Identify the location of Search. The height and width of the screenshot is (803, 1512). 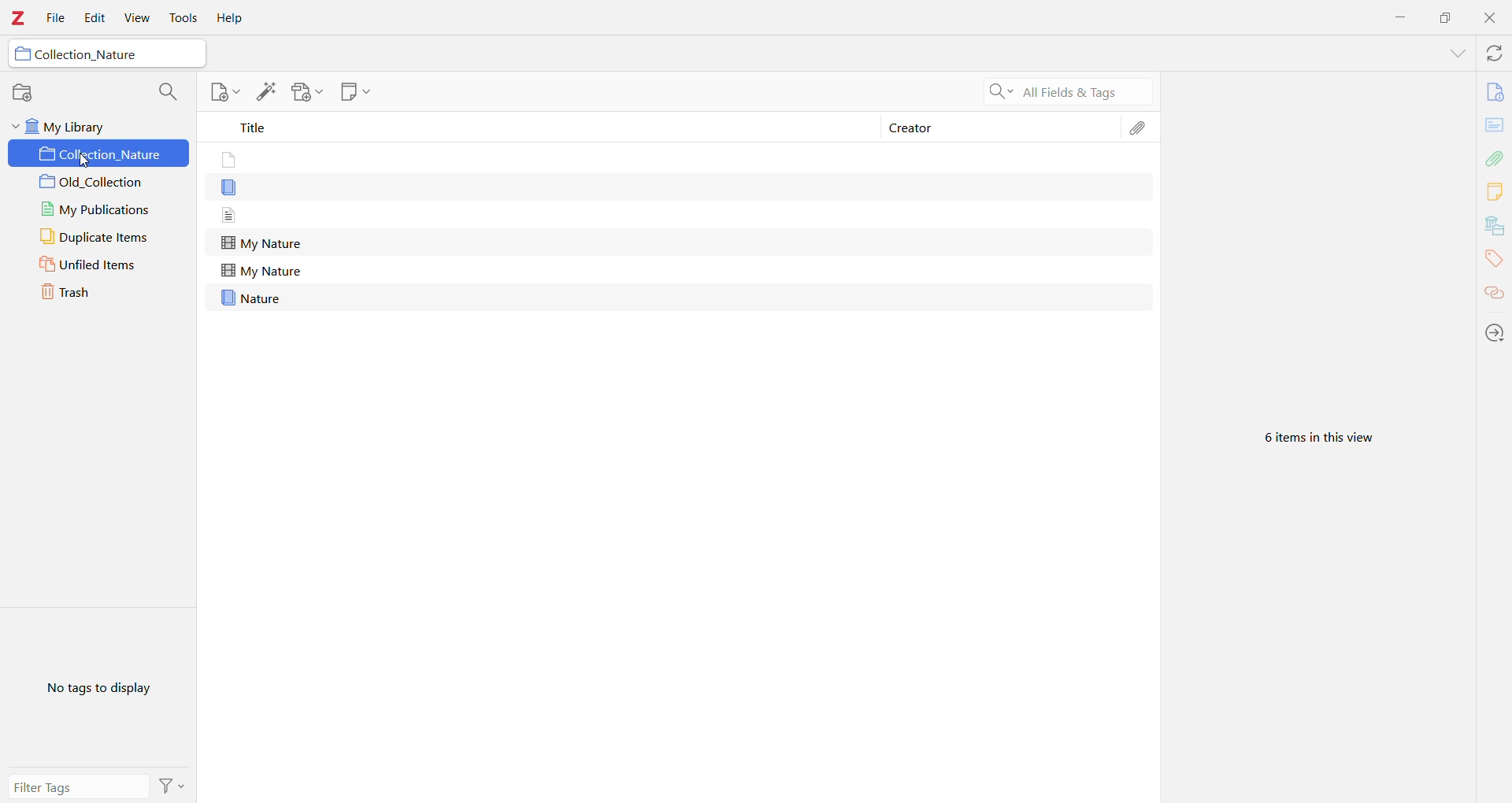
(1062, 92).